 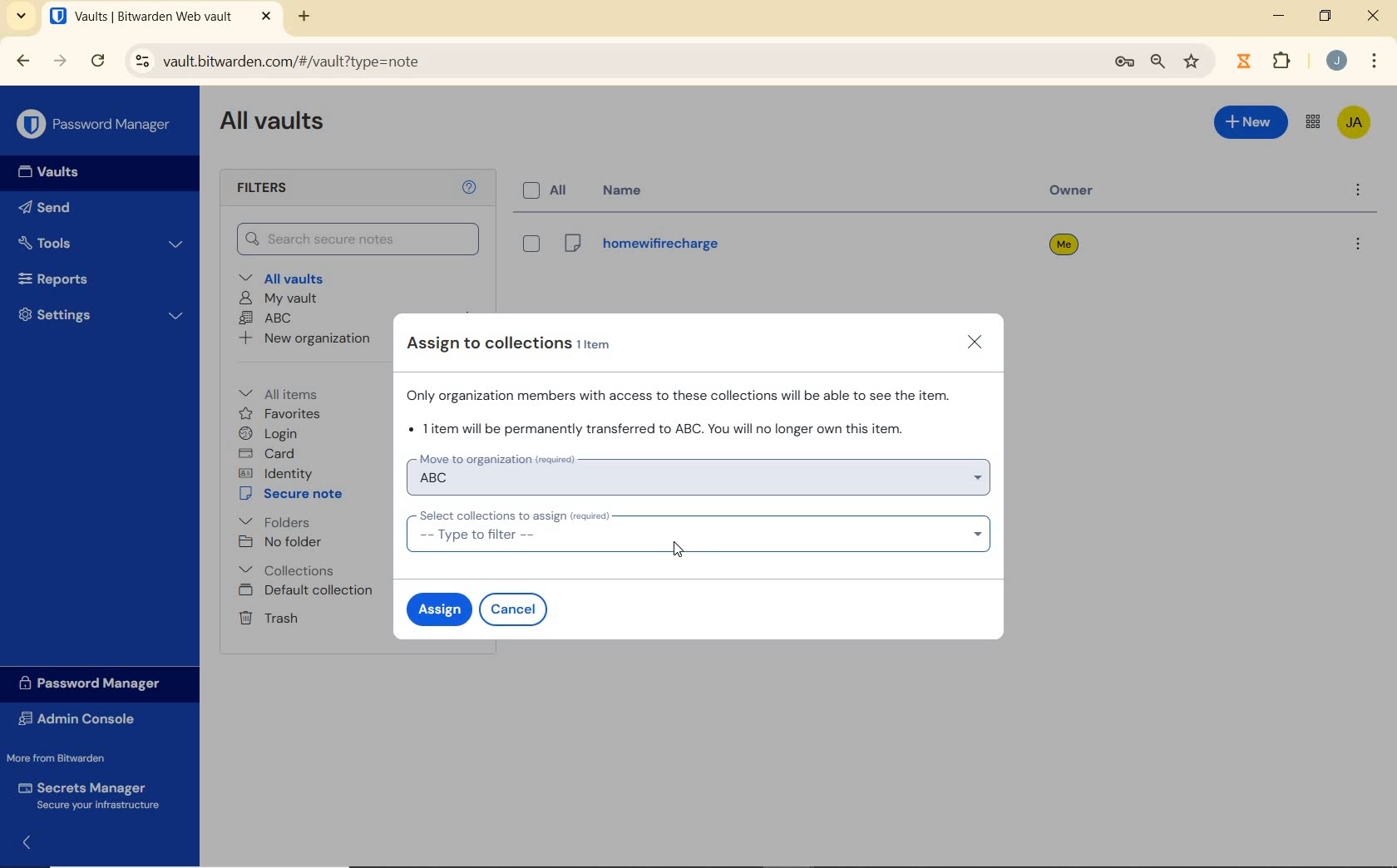 What do you see at coordinates (1193, 62) in the screenshot?
I see `bookmark` at bounding box center [1193, 62].